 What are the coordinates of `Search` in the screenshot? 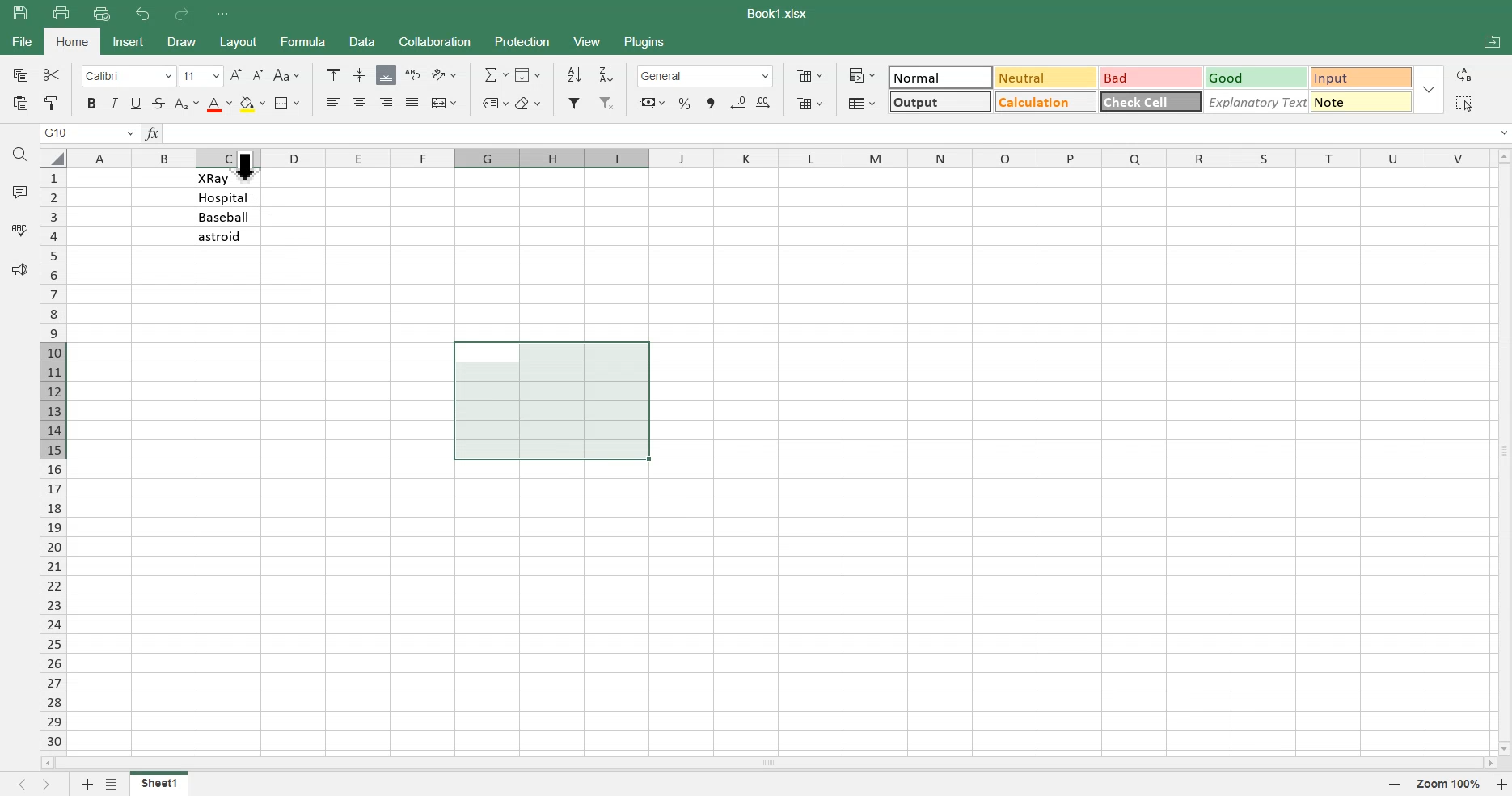 It's located at (21, 155).